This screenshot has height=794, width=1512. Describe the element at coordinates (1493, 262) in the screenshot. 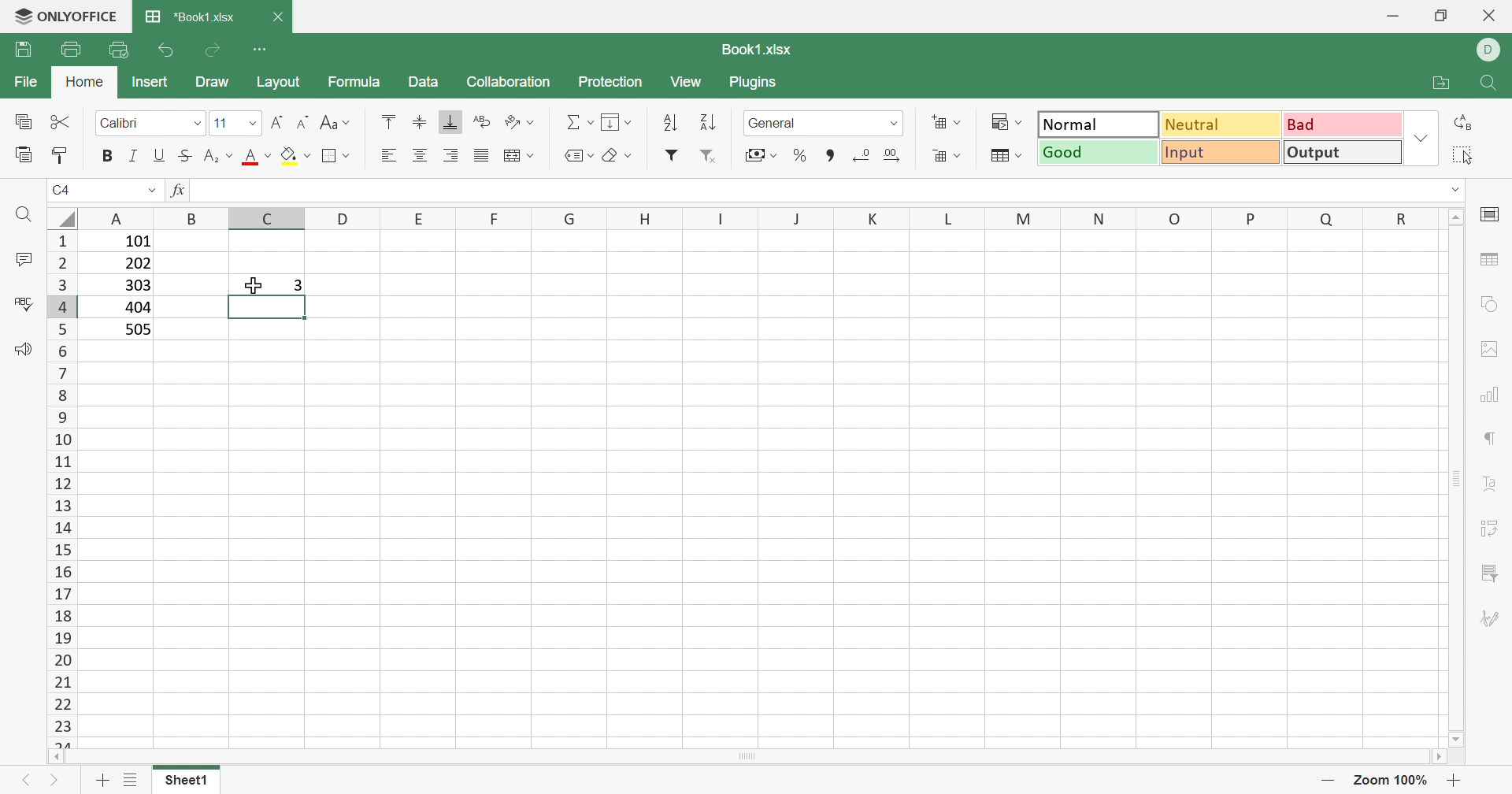

I see `table settings` at that location.